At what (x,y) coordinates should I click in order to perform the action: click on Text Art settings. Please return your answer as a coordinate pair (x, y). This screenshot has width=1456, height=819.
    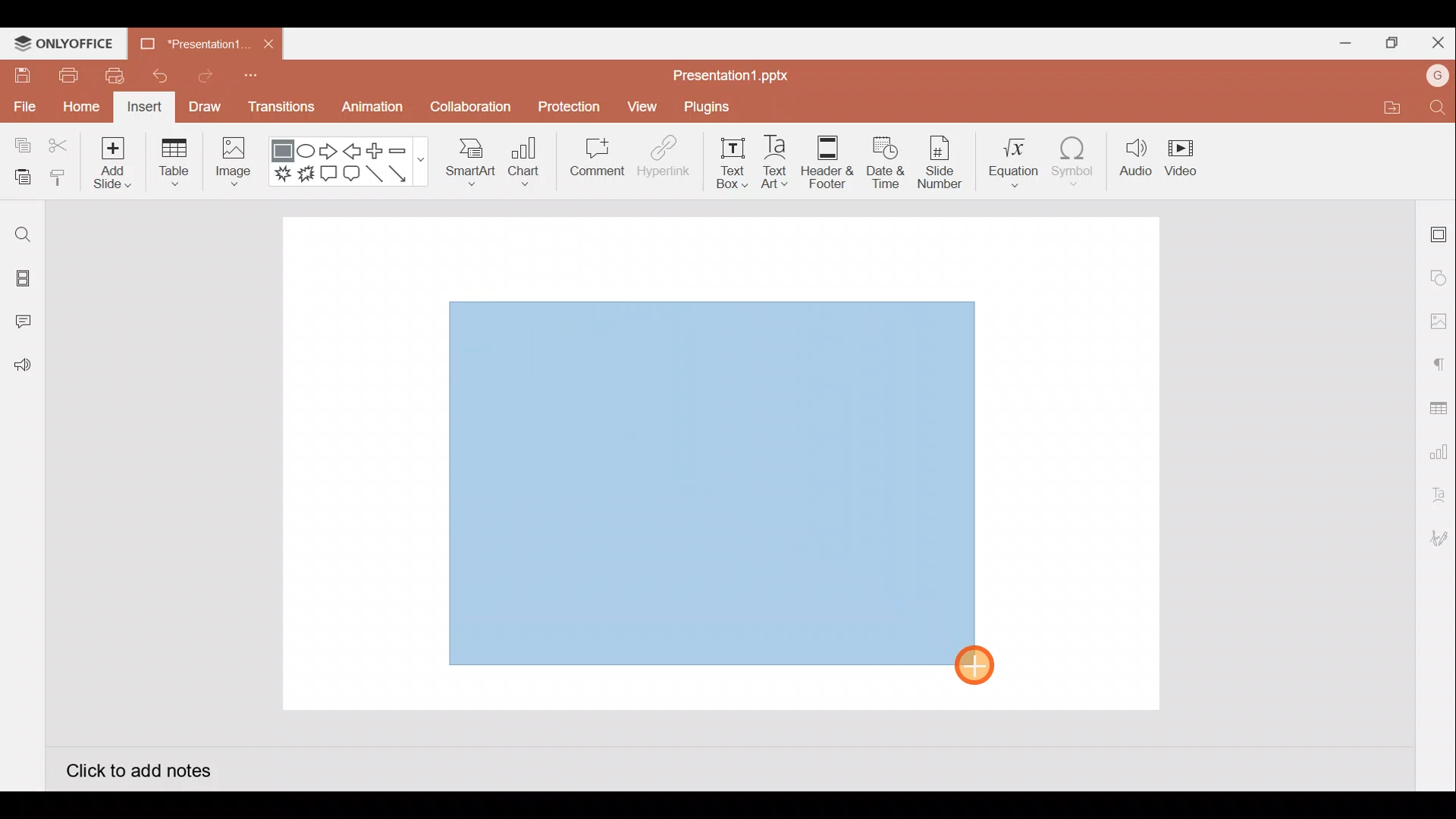
    Looking at the image, I should click on (1437, 495).